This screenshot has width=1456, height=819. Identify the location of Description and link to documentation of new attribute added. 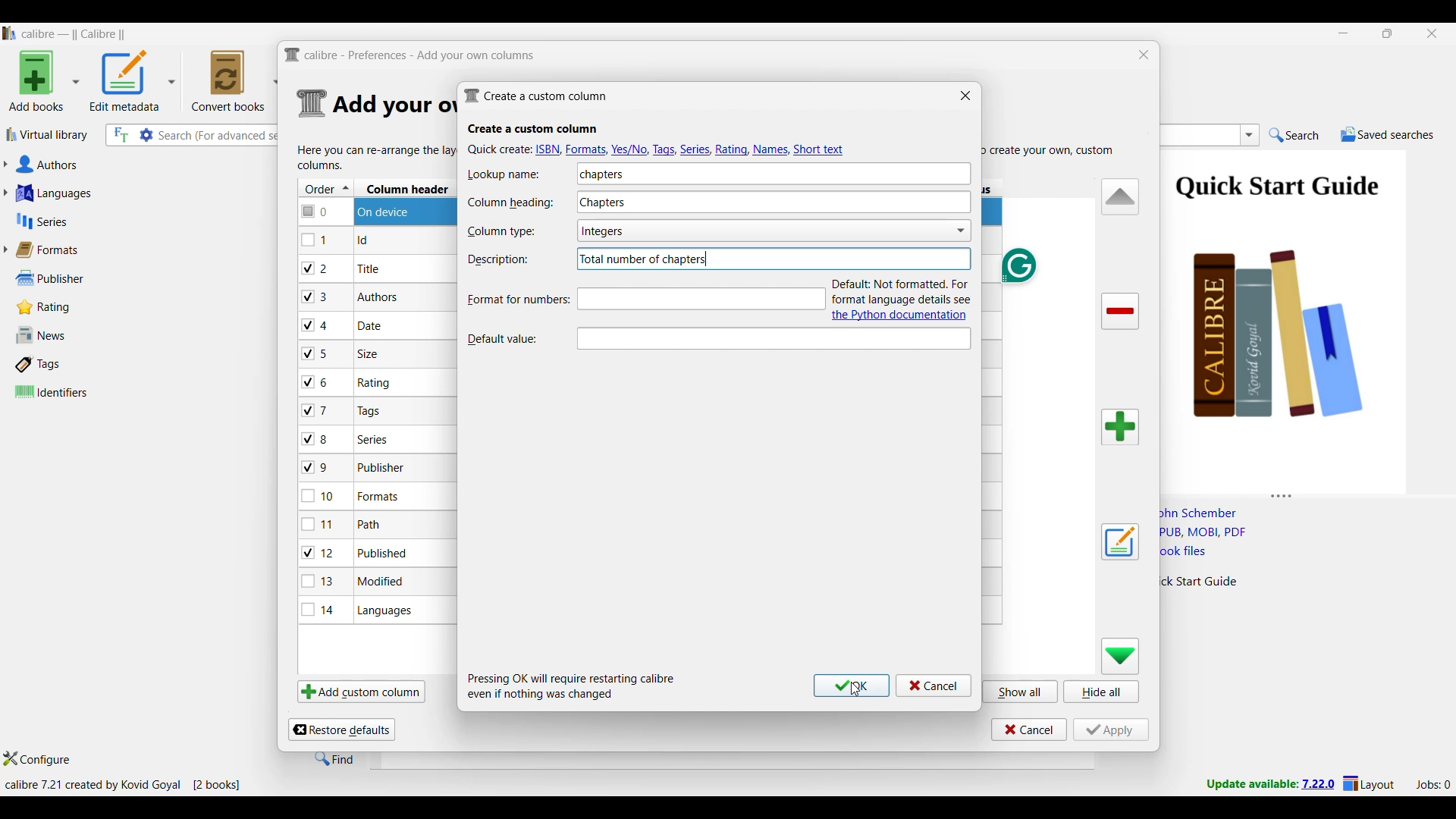
(905, 299).